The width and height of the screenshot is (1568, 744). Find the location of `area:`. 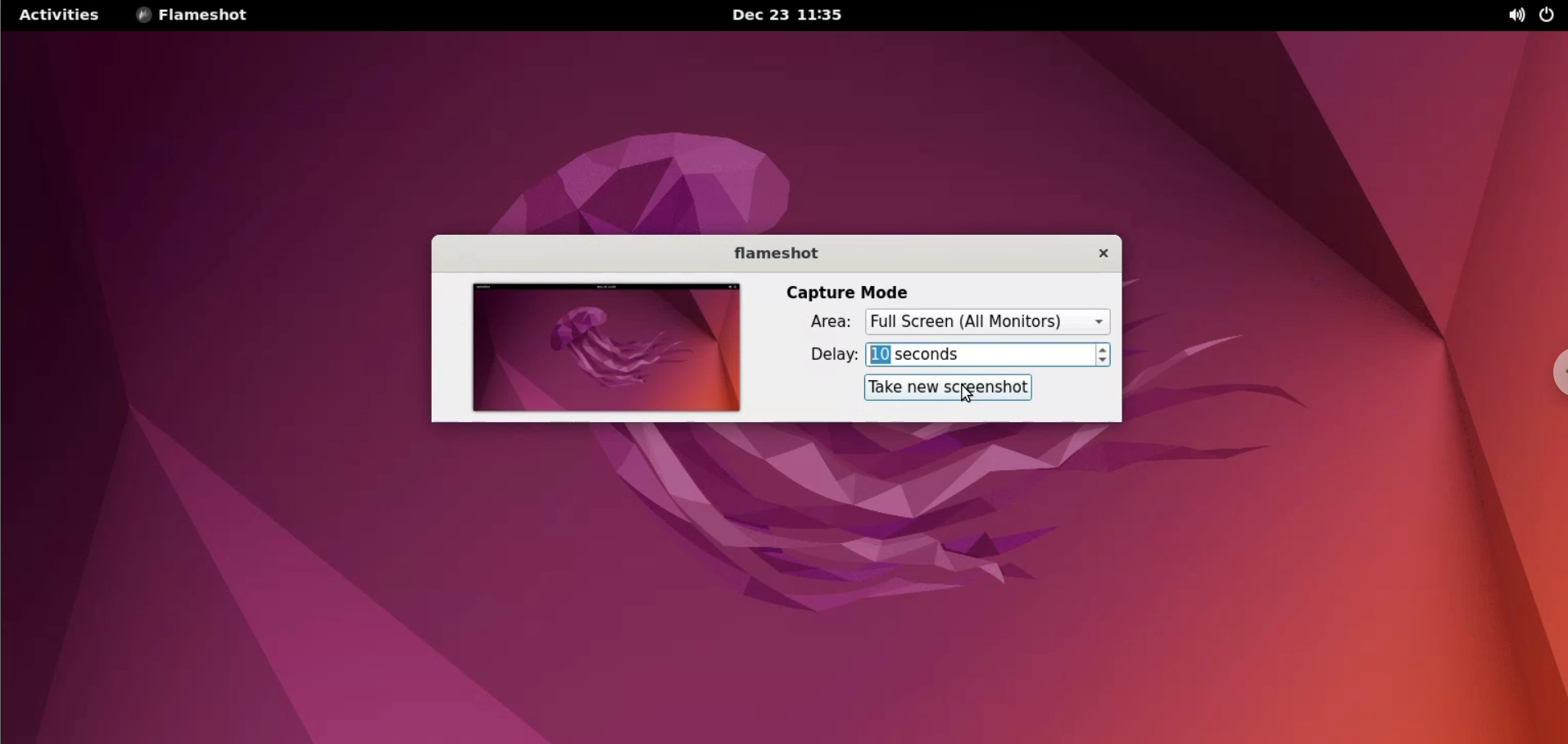

area: is located at coordinates (823, 324).